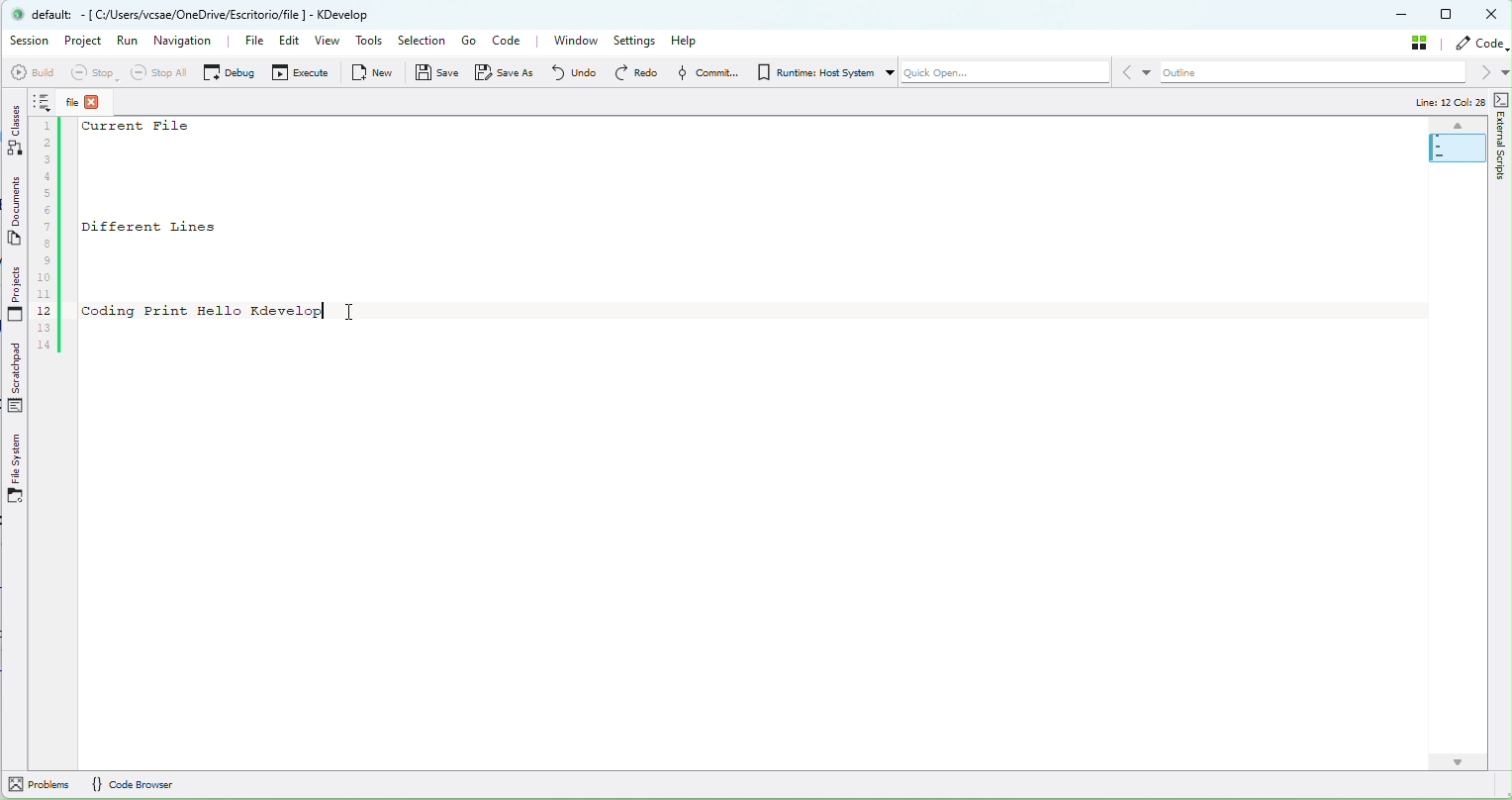 This screenshot has height=800, width=1512. Describe the element at coordinates (330, 305) in the screenshot. I see `Text Cursor` at that location.